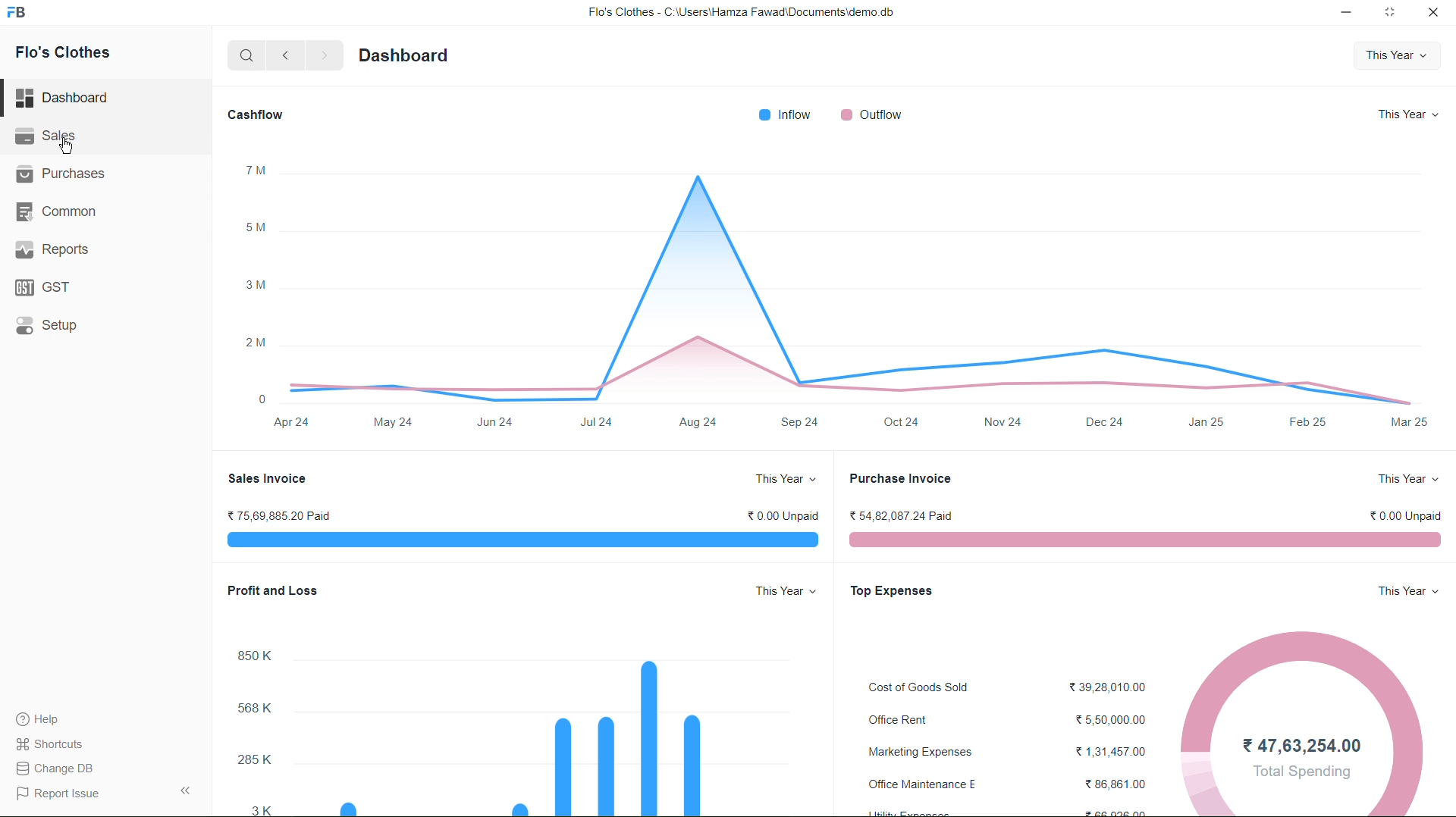 This screenshot has width=1456, height=817. Describe the element at coordinates (53, 137) in the screenshot. I see `Sales` at that location.